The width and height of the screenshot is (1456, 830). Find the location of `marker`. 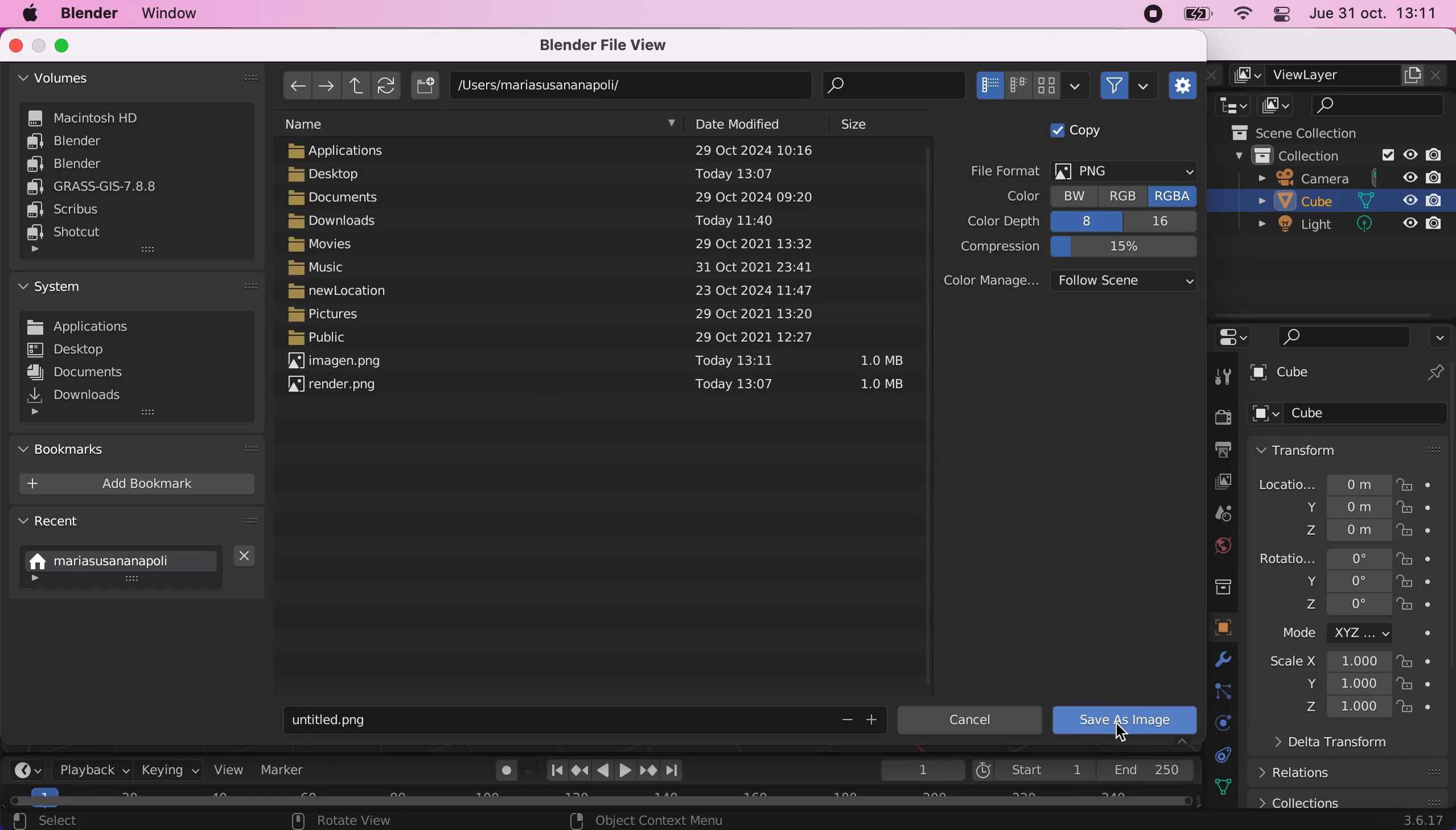

marker is located at coordinates (291, 771).